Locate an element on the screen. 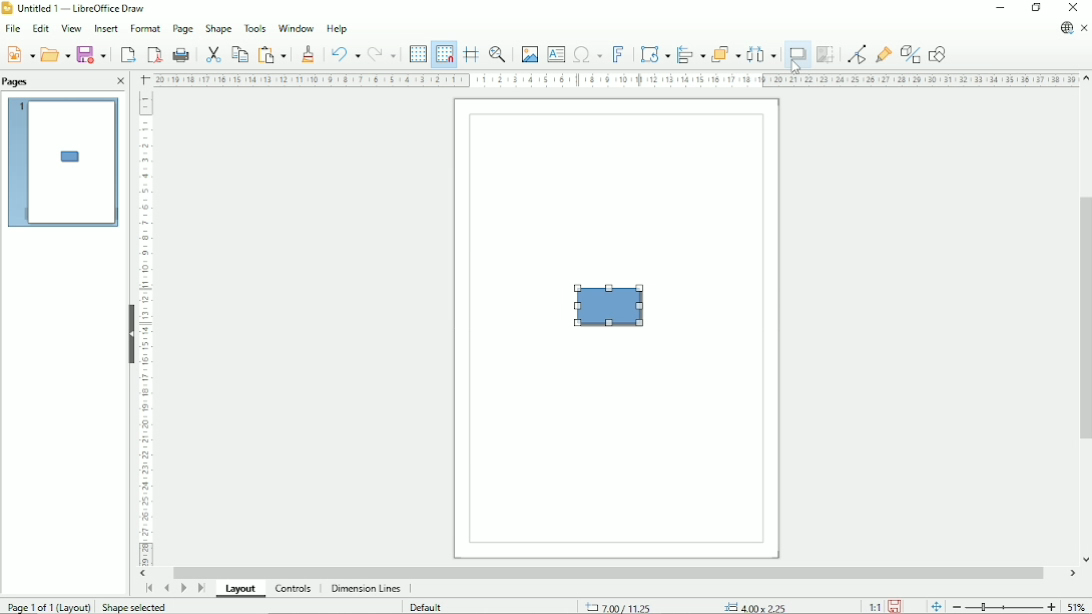  Update available is located at coordinates (1064, 29).